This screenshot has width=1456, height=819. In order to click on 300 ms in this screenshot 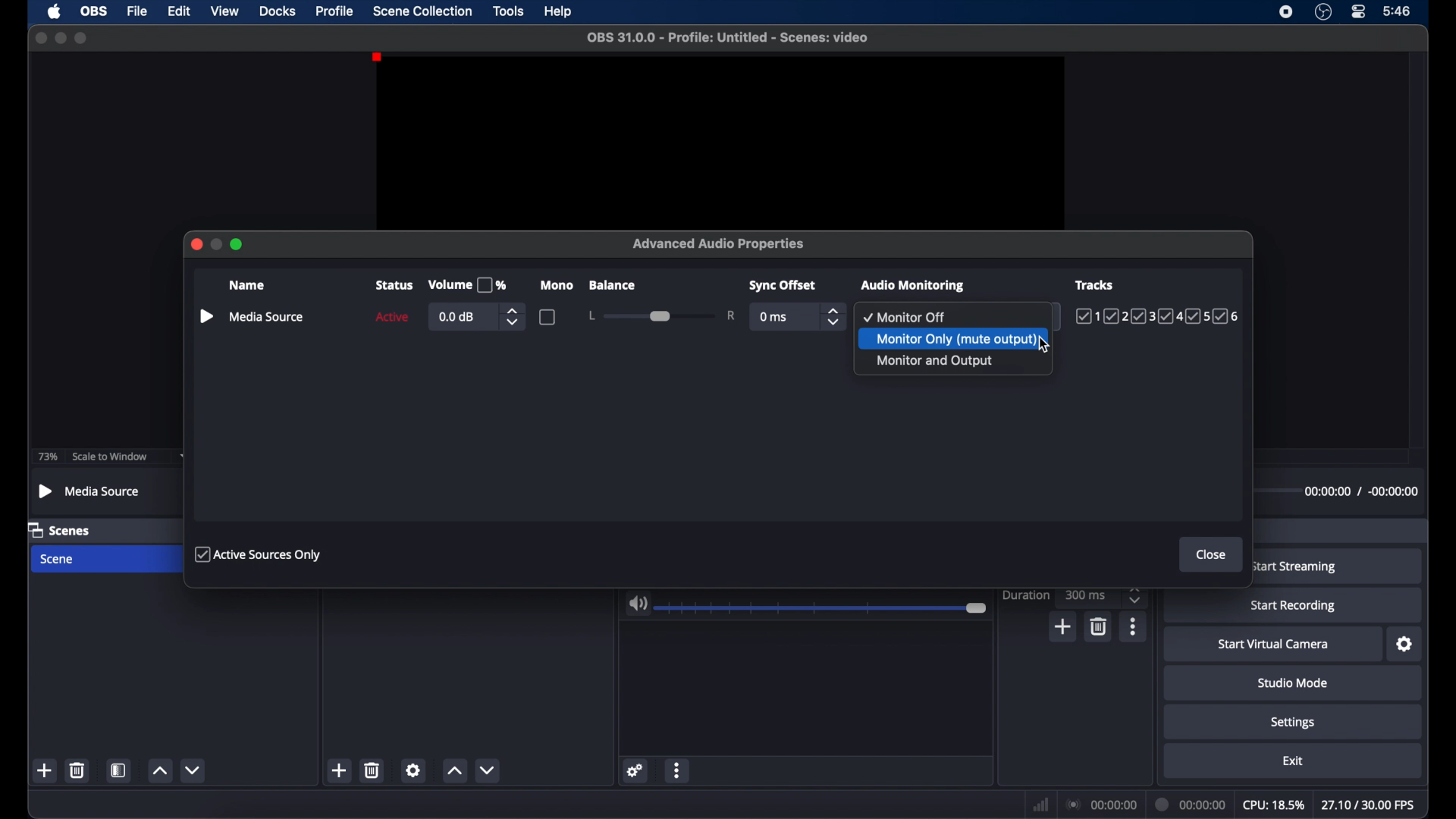, I will do `click(1087, 595)`.